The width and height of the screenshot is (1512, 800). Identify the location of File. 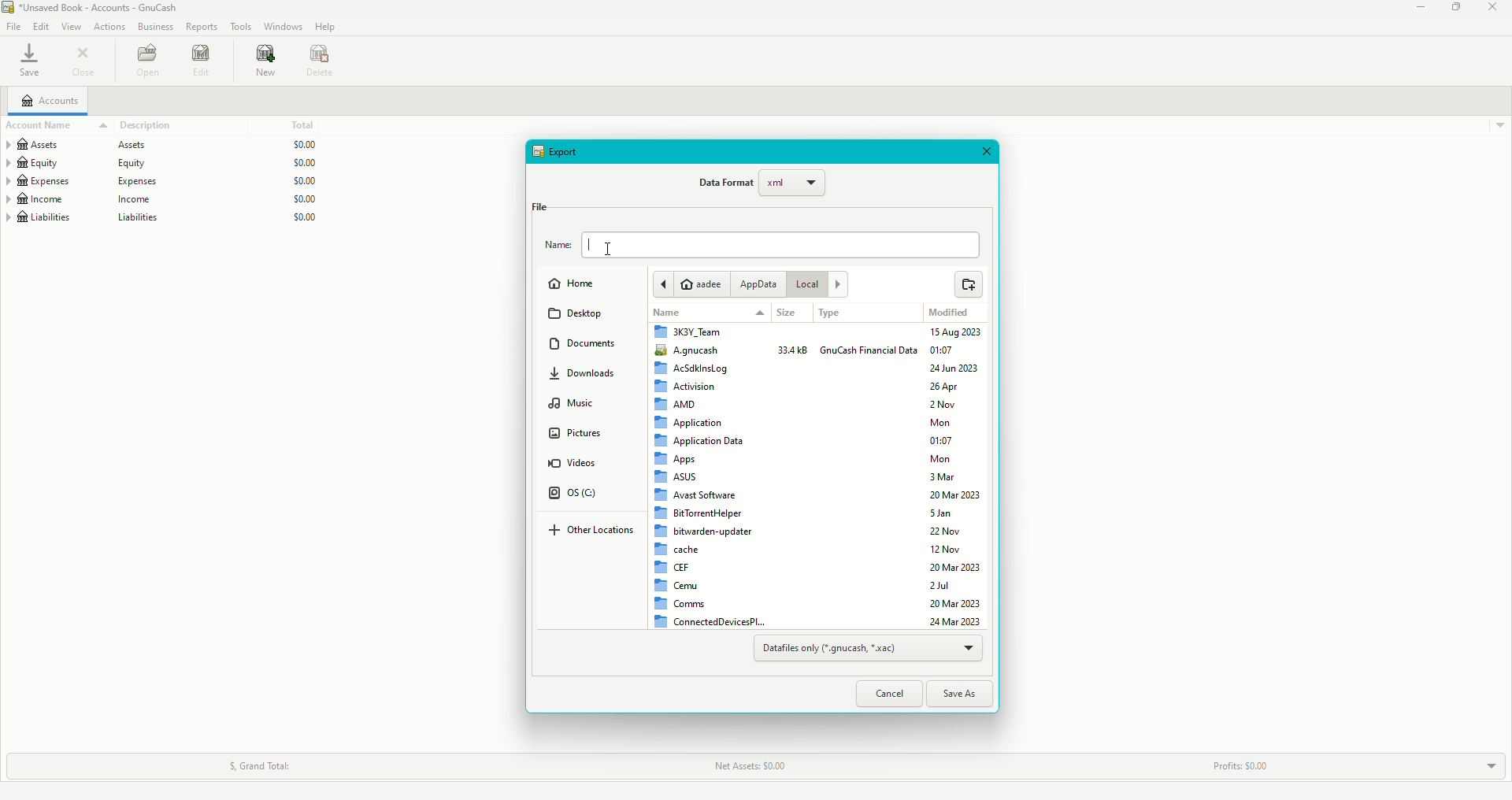
(13, 28).